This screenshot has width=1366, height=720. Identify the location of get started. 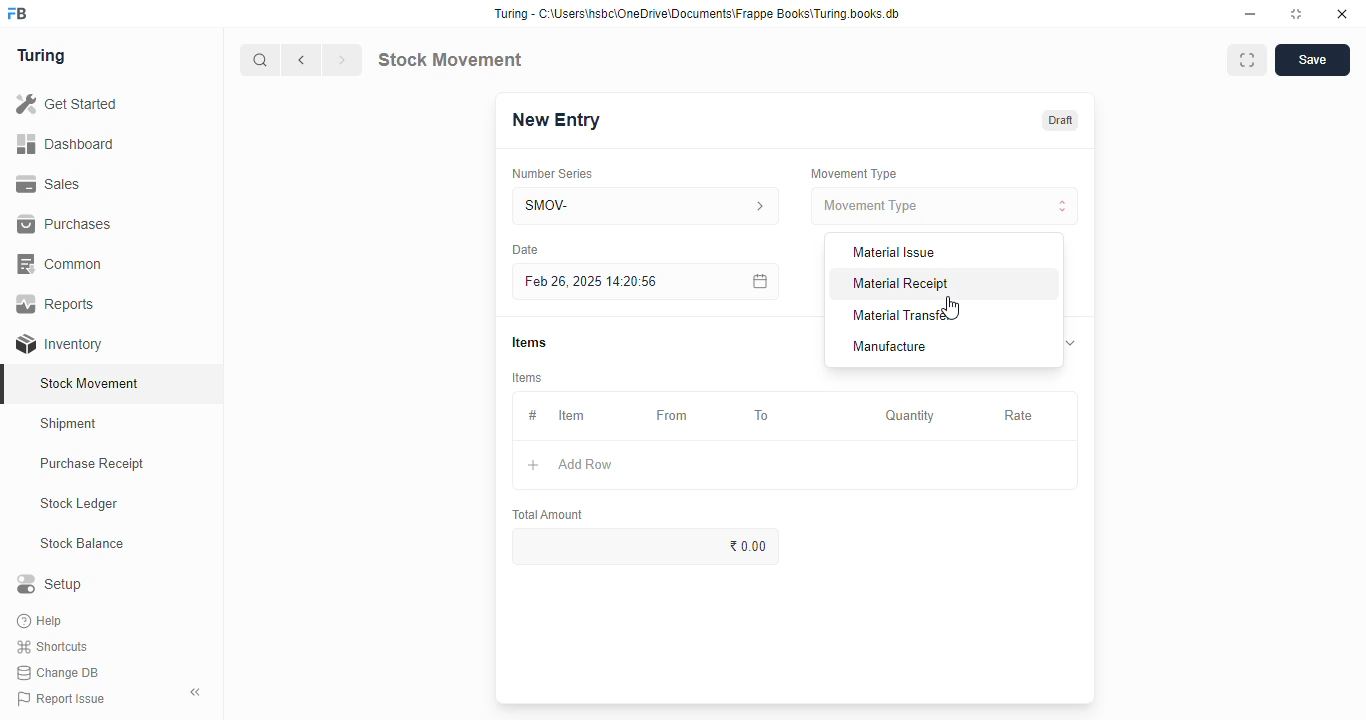
(68, 104).